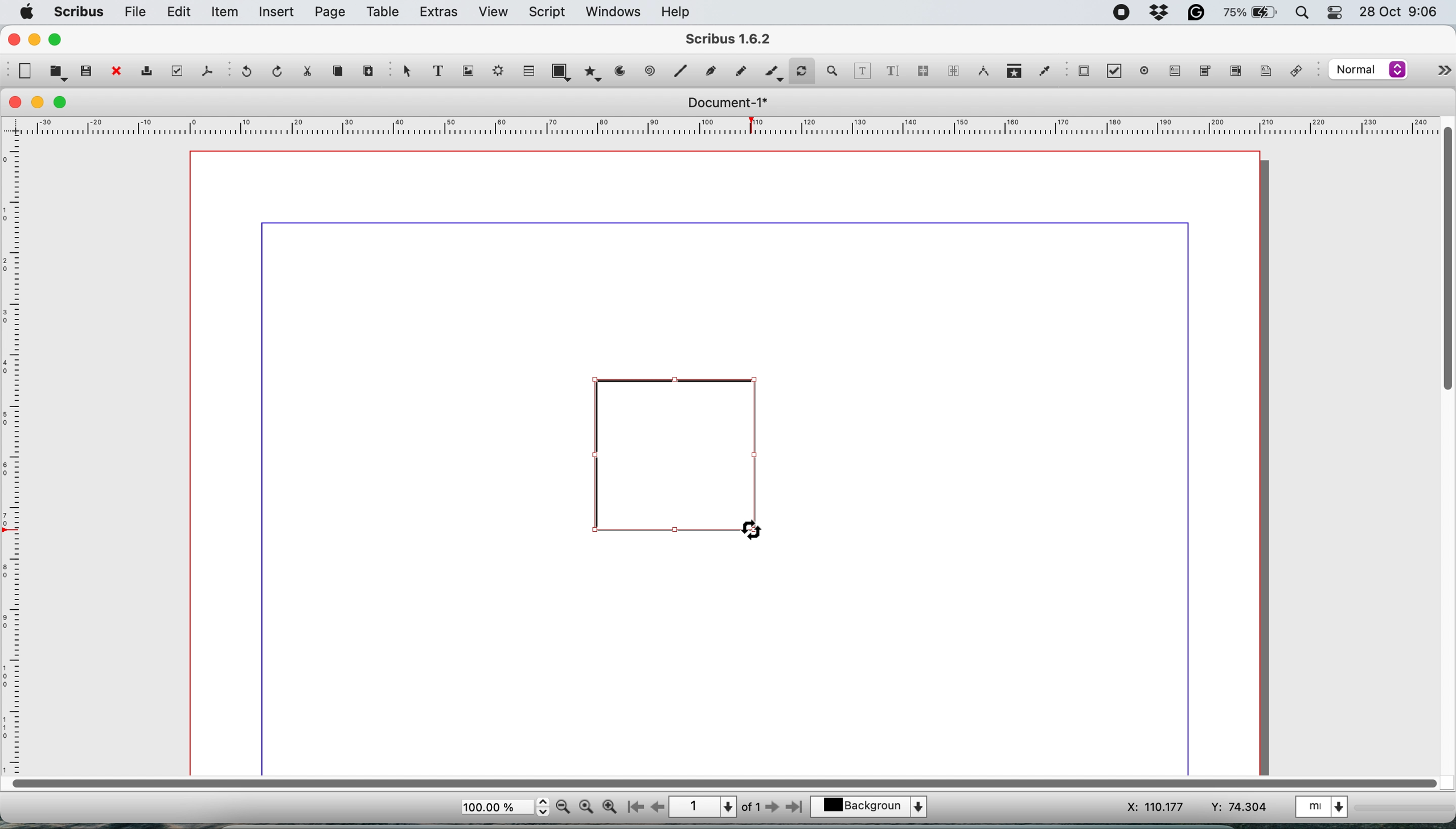 The image size is (1456, 829). What do you see at coordinates (561, 71) in the screenshot?
I see `shape` at bounding box center [561, 71].